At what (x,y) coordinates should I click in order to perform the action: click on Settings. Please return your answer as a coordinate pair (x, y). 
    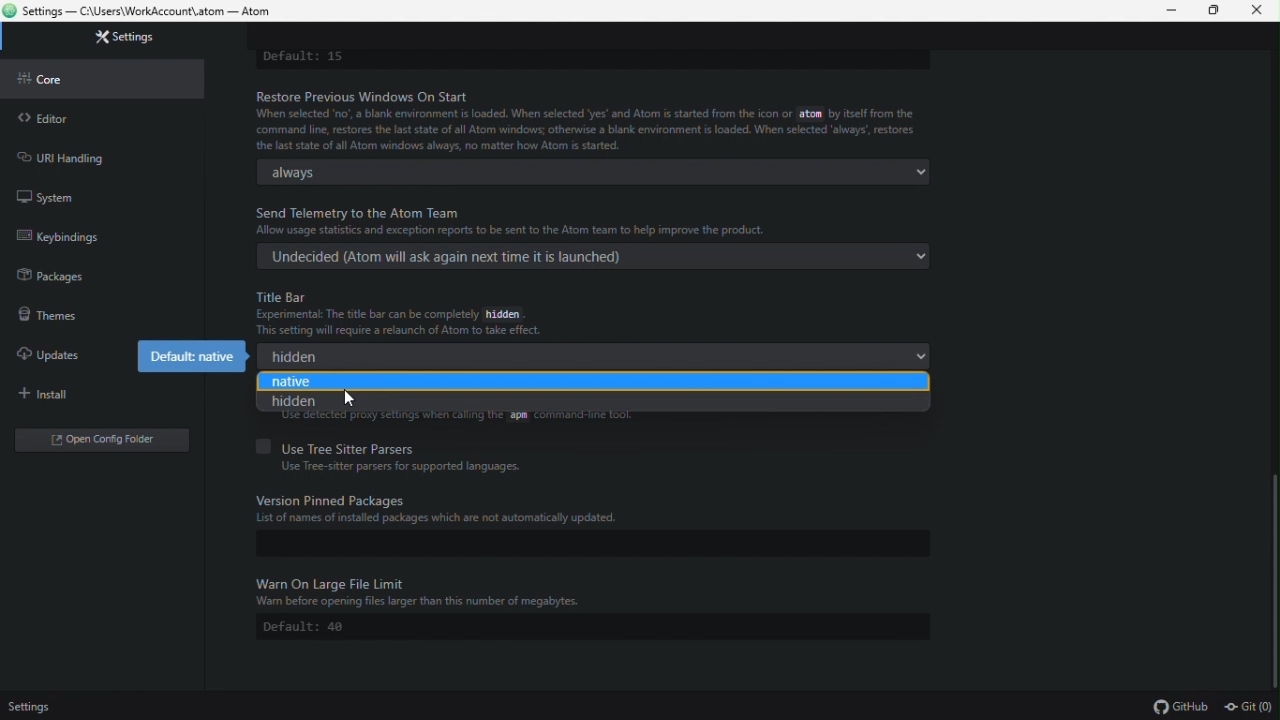
    Looking at the image, I should click on (120, 38).